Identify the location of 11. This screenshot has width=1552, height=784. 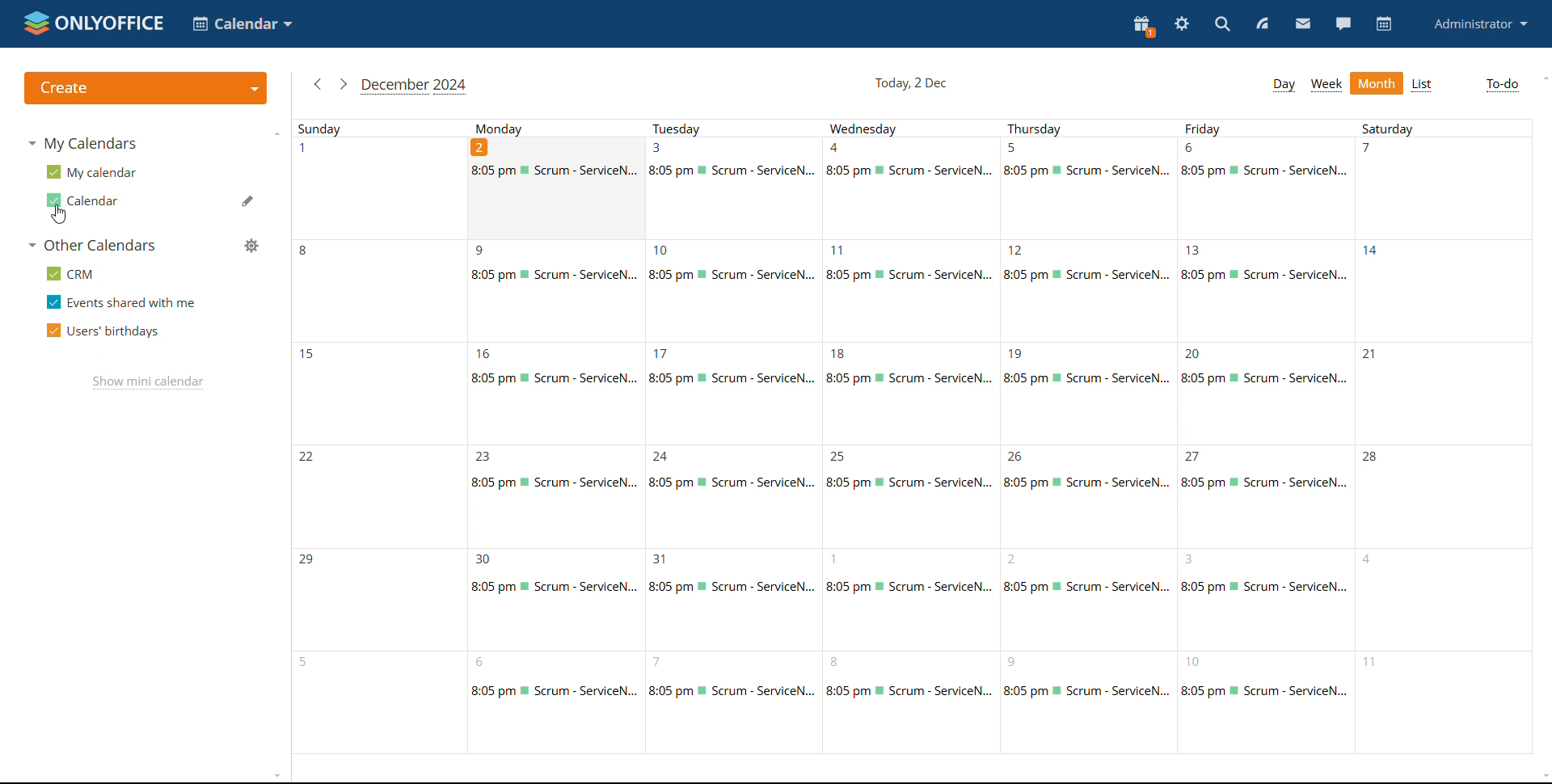
(909, 290).